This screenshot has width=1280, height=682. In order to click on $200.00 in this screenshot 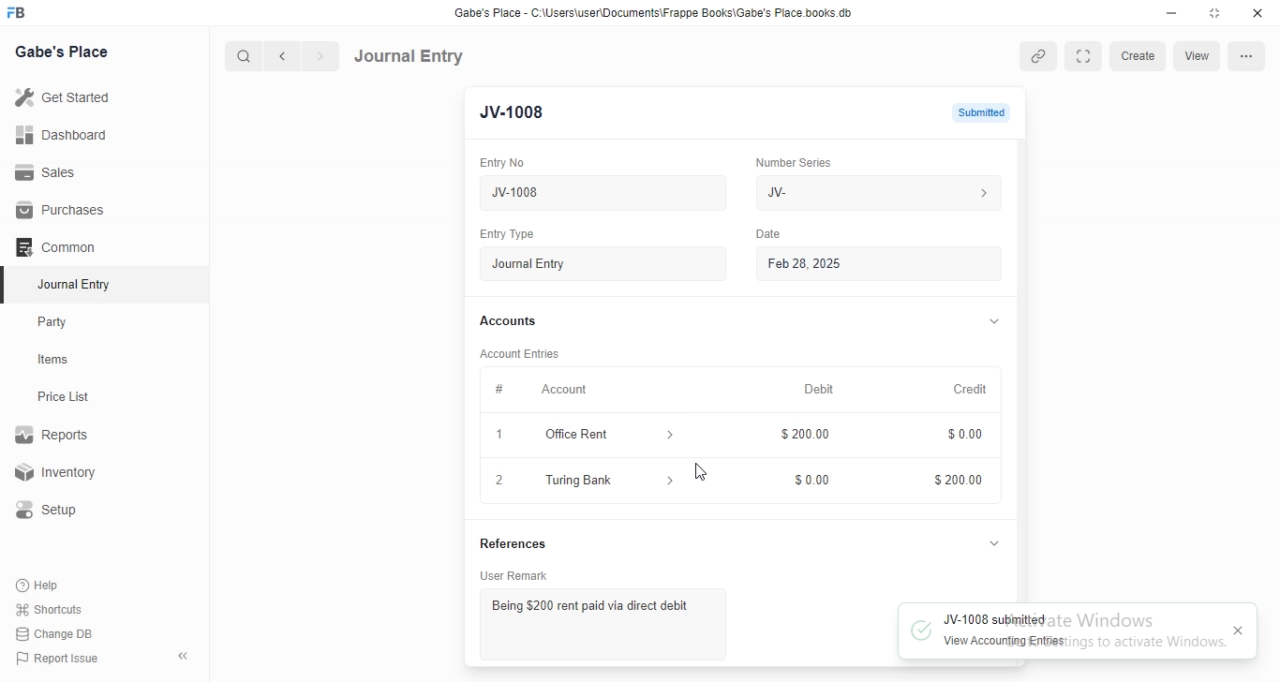, I will do `click(806, 433)`.